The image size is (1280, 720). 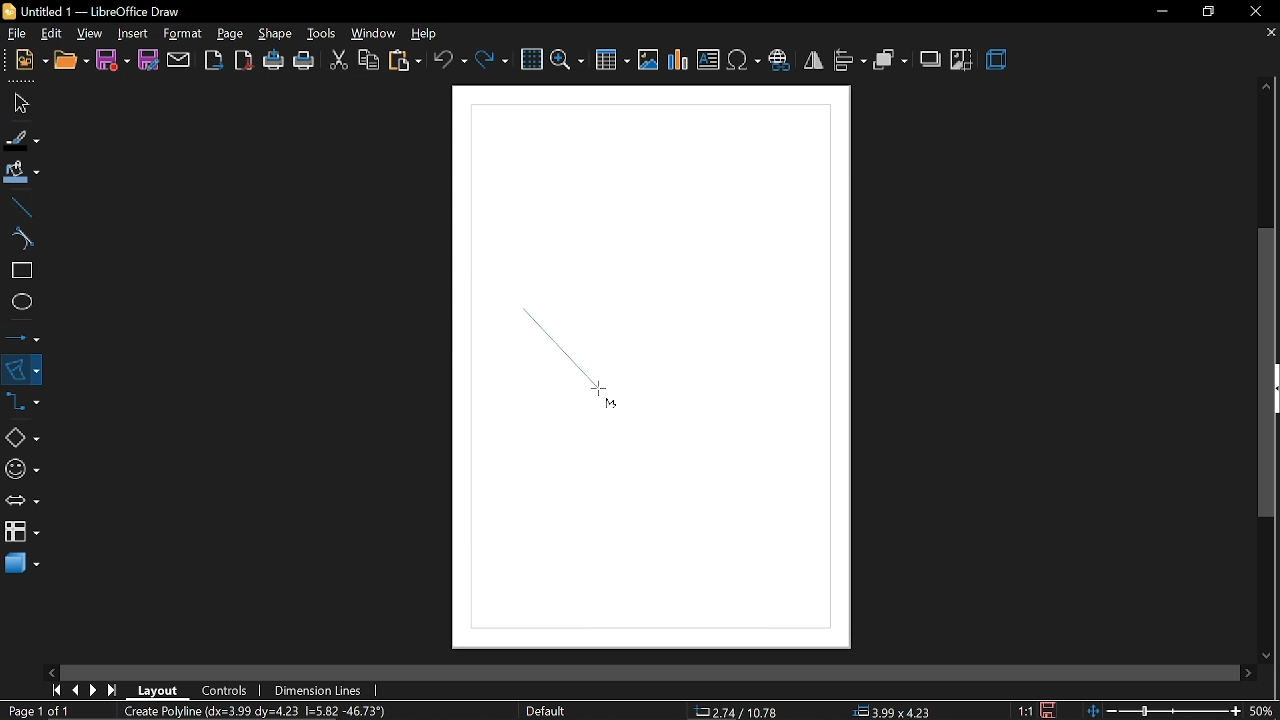 What do you see at coordinates (20, 138) in the screenshot?
I see `fill line` at bounding box center [20, 138].